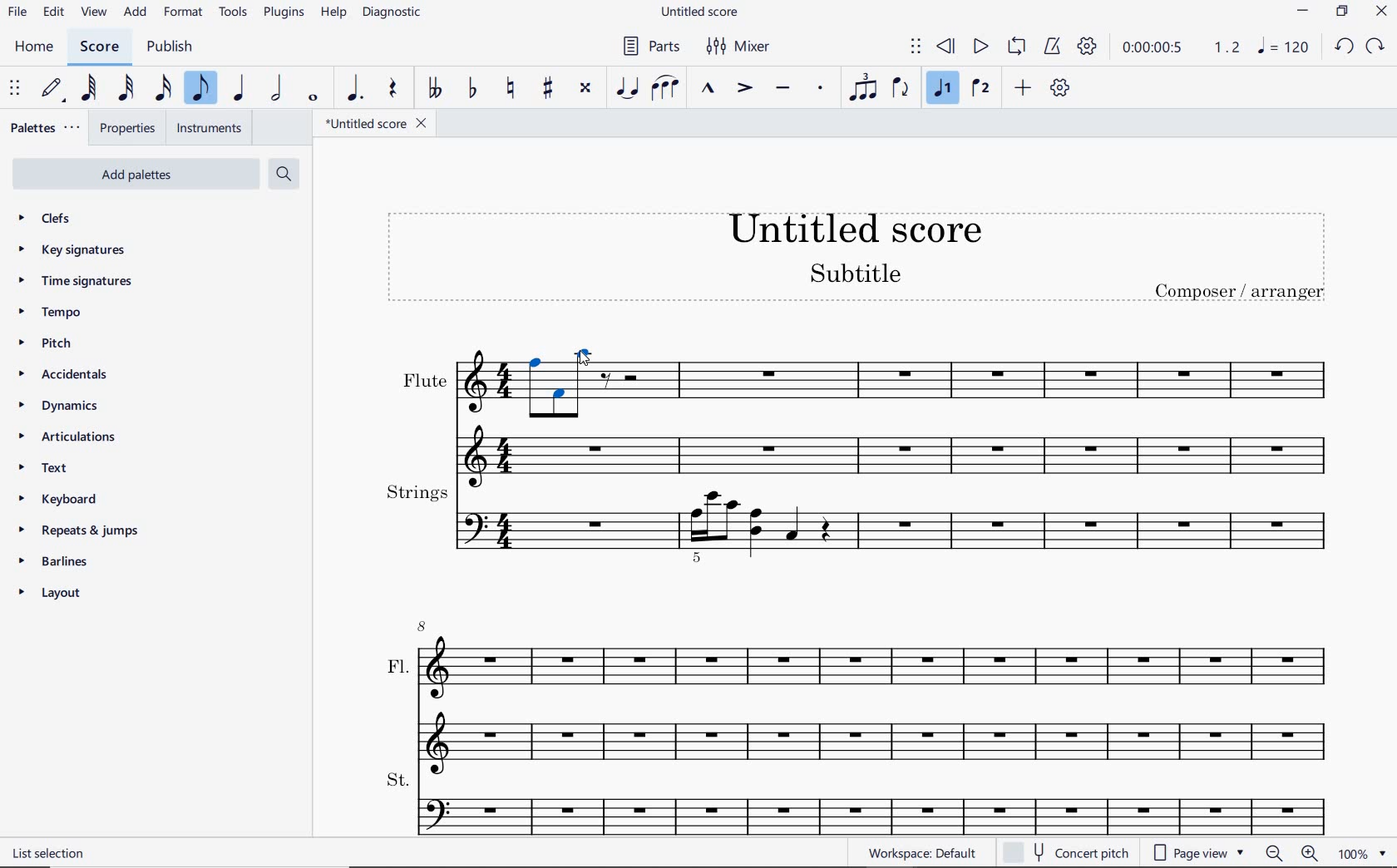 The height and width of the screenshot is (868, 1397). I want to click on STACCATO, so click(822, 89).